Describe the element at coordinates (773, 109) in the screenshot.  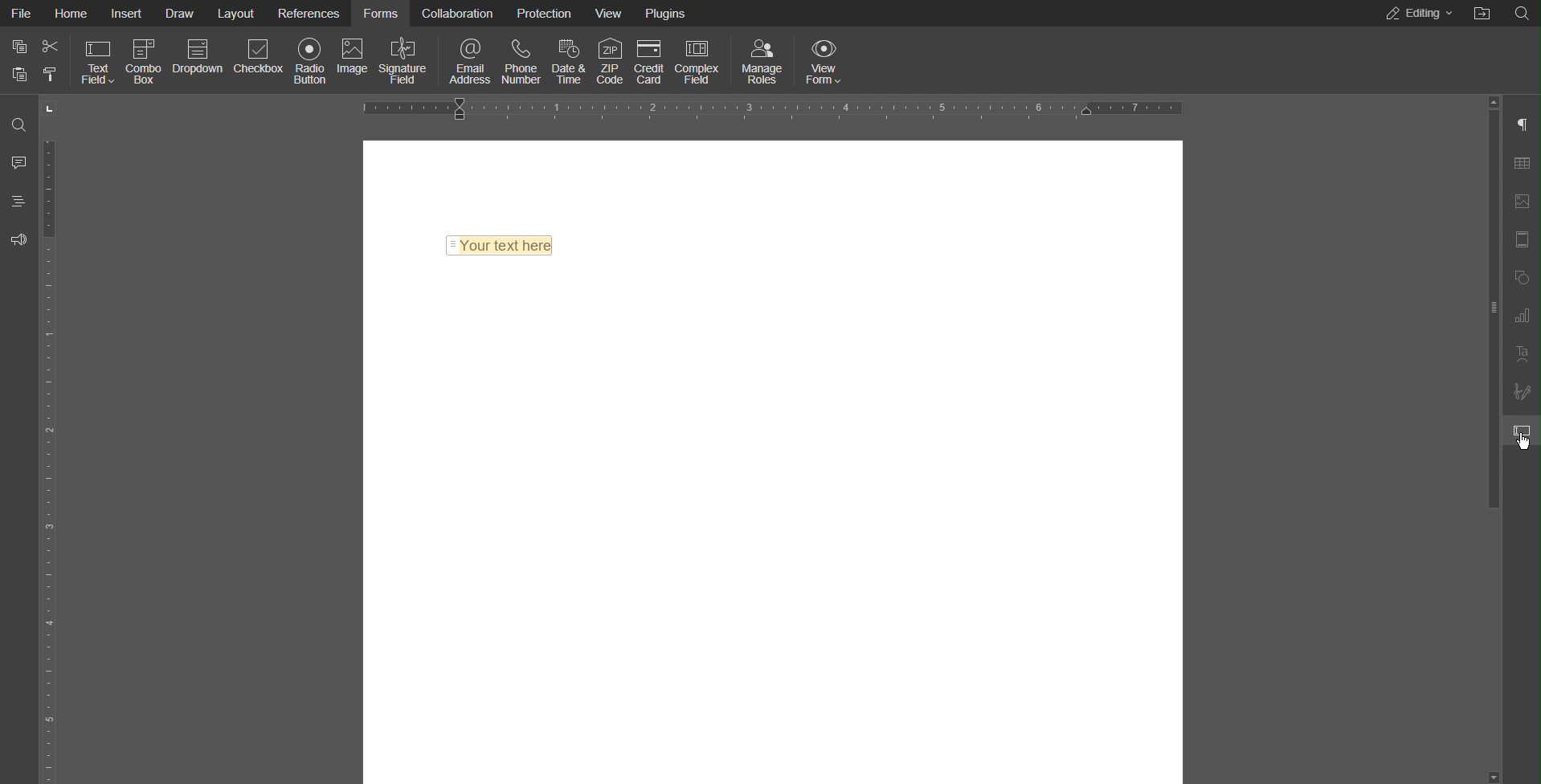
I see `Horizontal Ruler` at that location.